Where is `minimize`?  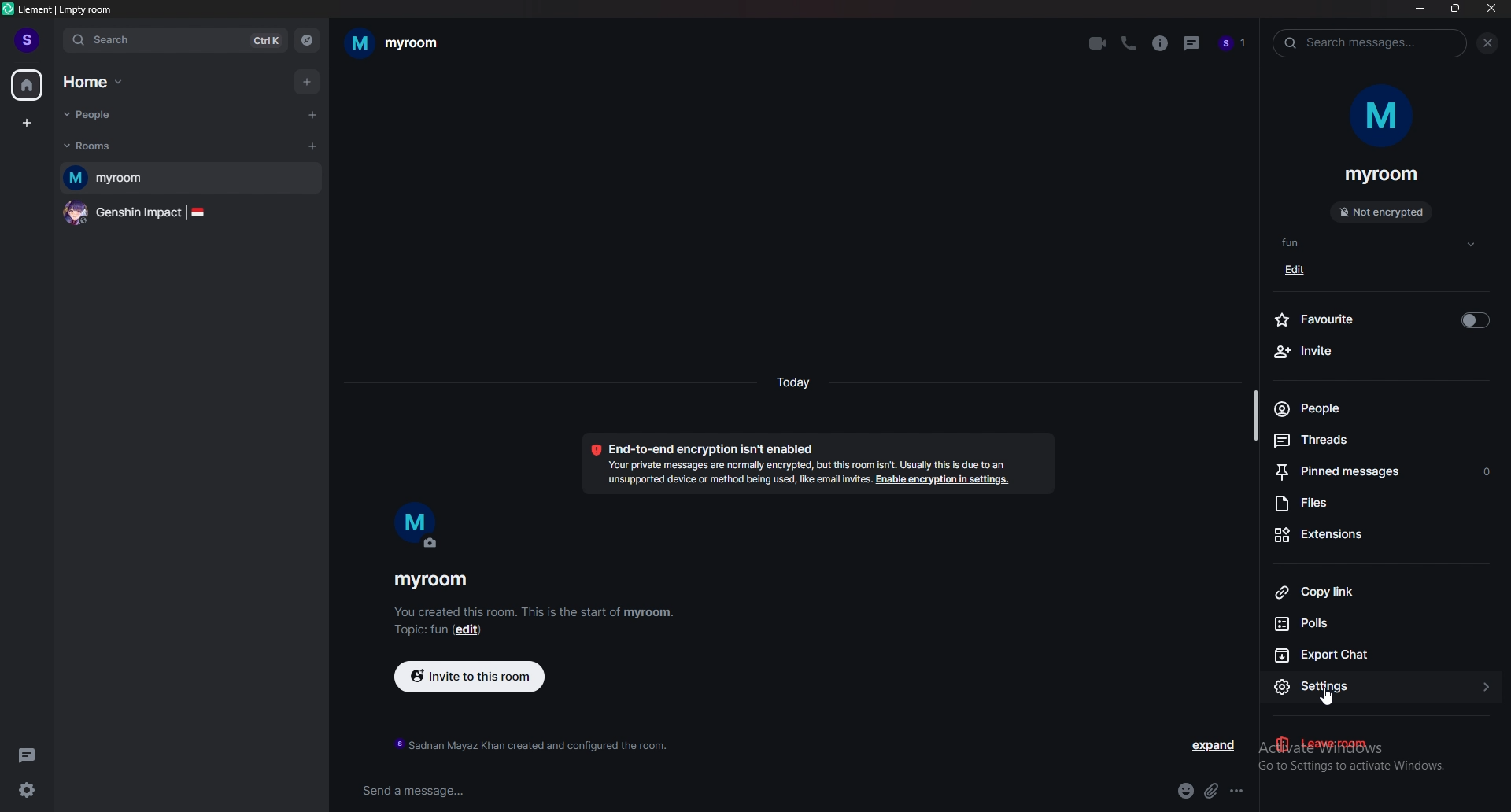
minimize is located at coordinates (1421, 10).